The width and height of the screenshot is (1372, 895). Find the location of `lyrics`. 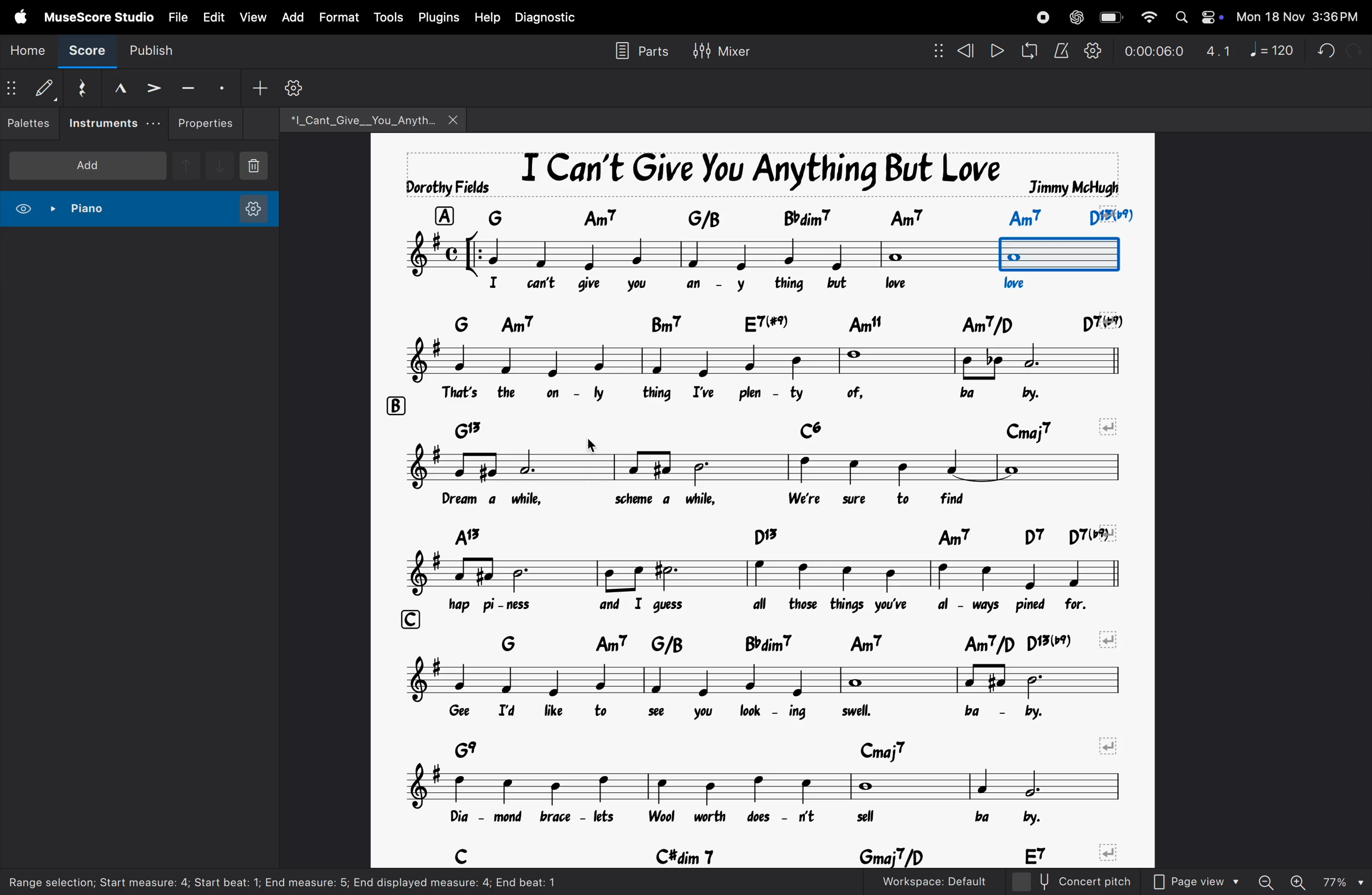

lyrics is located at coordinates (796, 606).